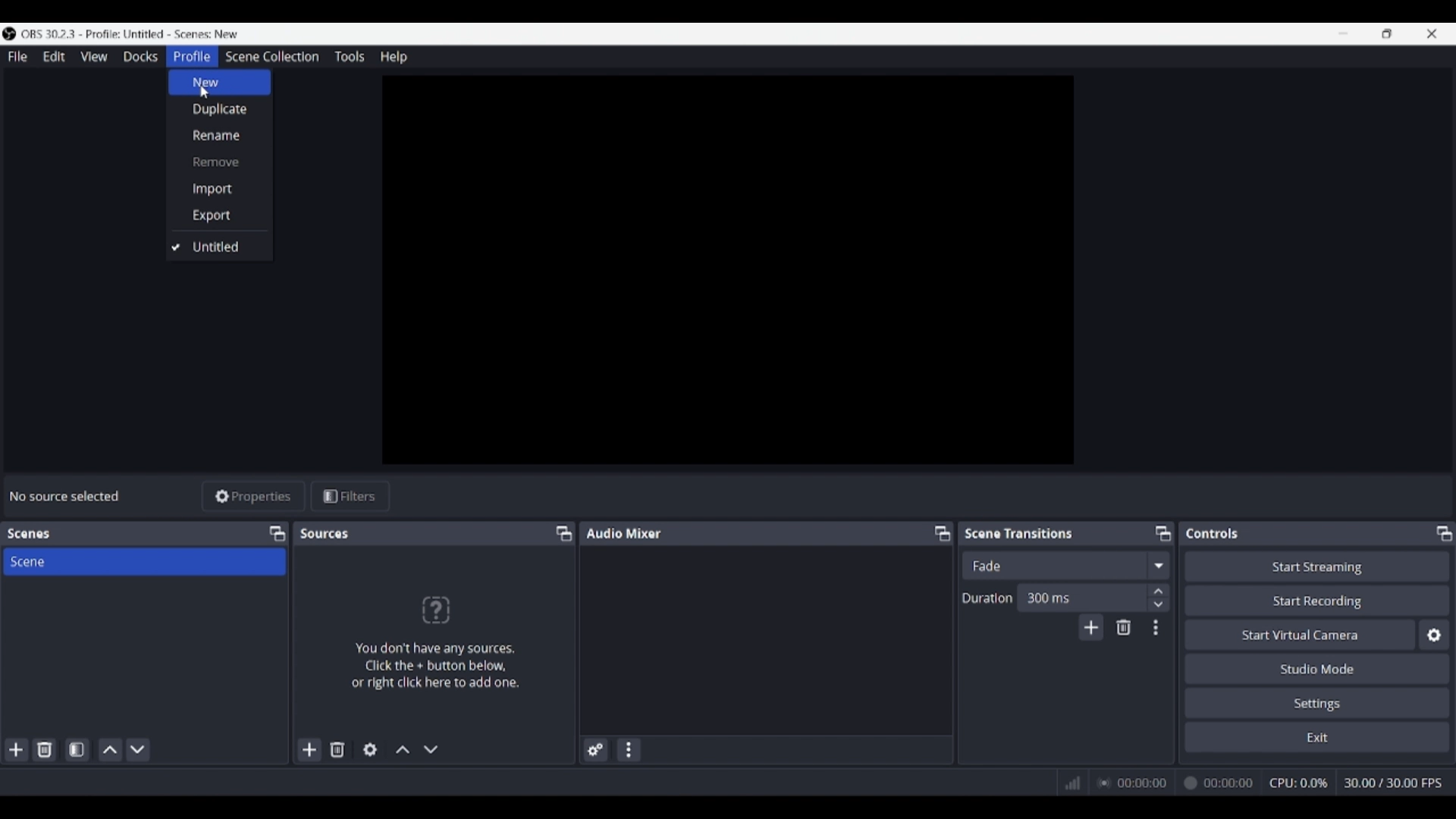 The height and width of the screenshot is (819, 1456). What do you see at coordinates (1067, 781) in the screenshot?
I see `Network` at bounding box center [1067, 781].